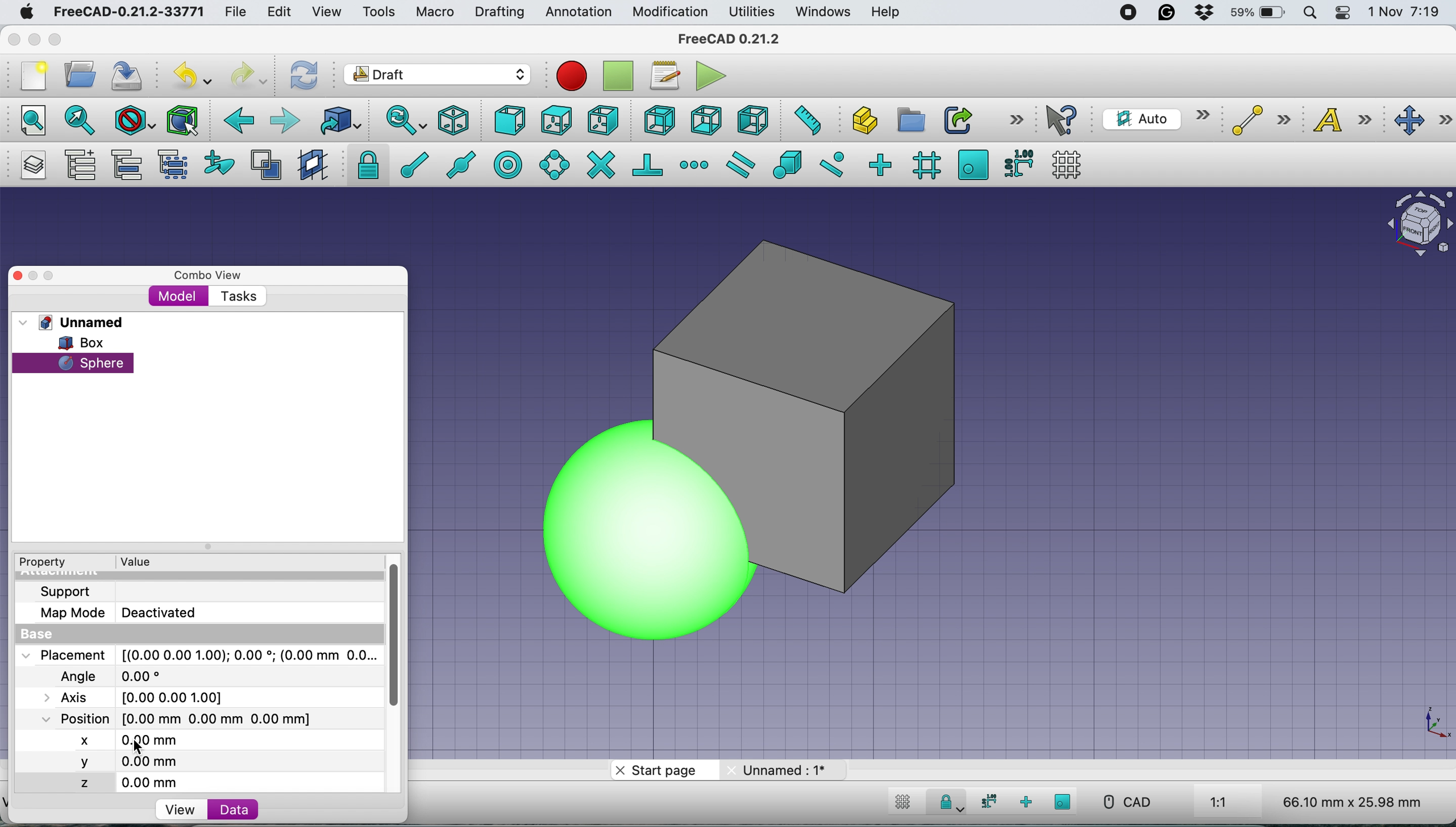  I want to click on right, so click(604, 120).